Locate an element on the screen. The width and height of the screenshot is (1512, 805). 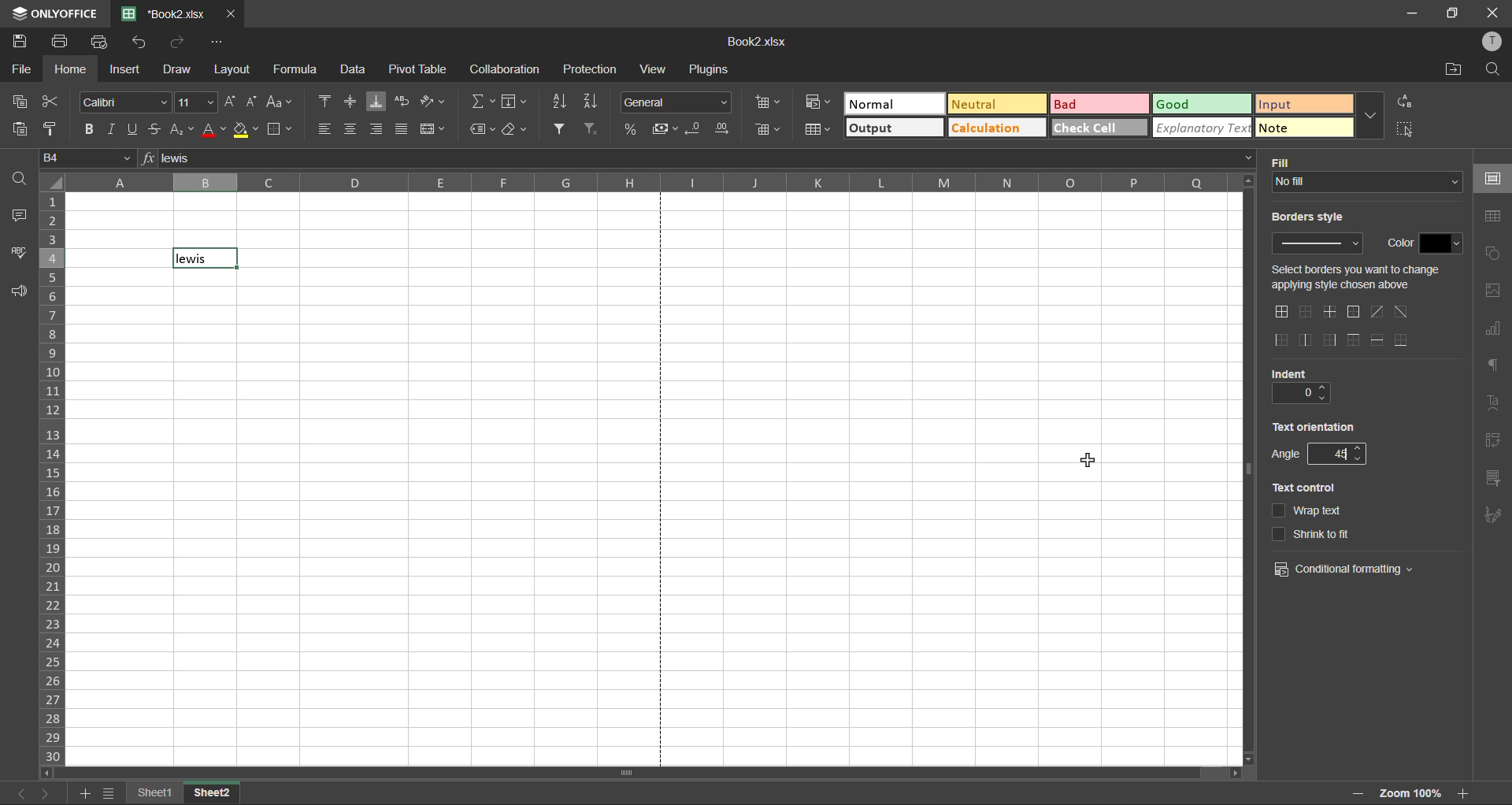
font style is located at coordinates (123, 104).